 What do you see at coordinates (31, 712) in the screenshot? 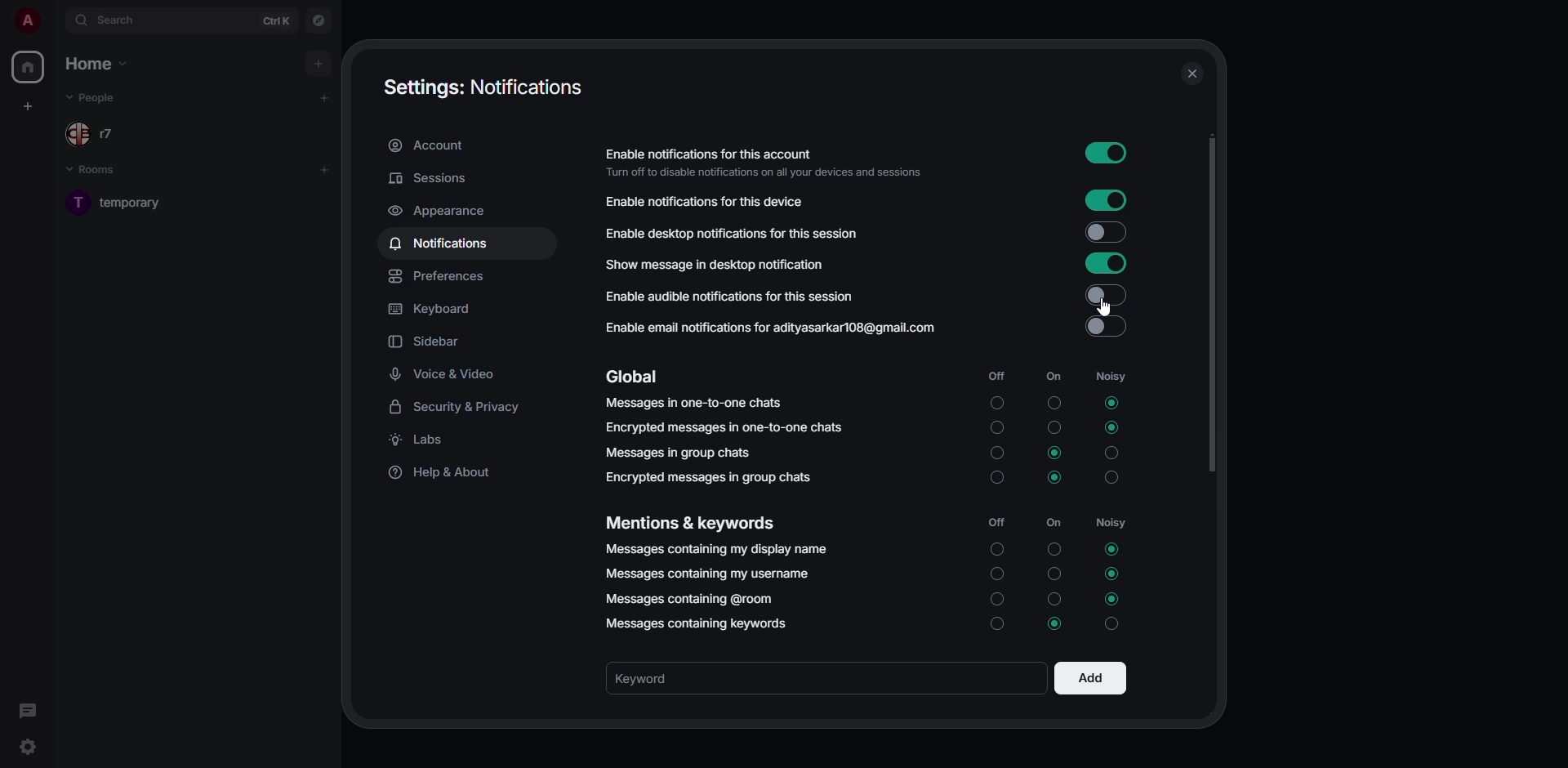
I see `threads` at bounding box center [31, 712].